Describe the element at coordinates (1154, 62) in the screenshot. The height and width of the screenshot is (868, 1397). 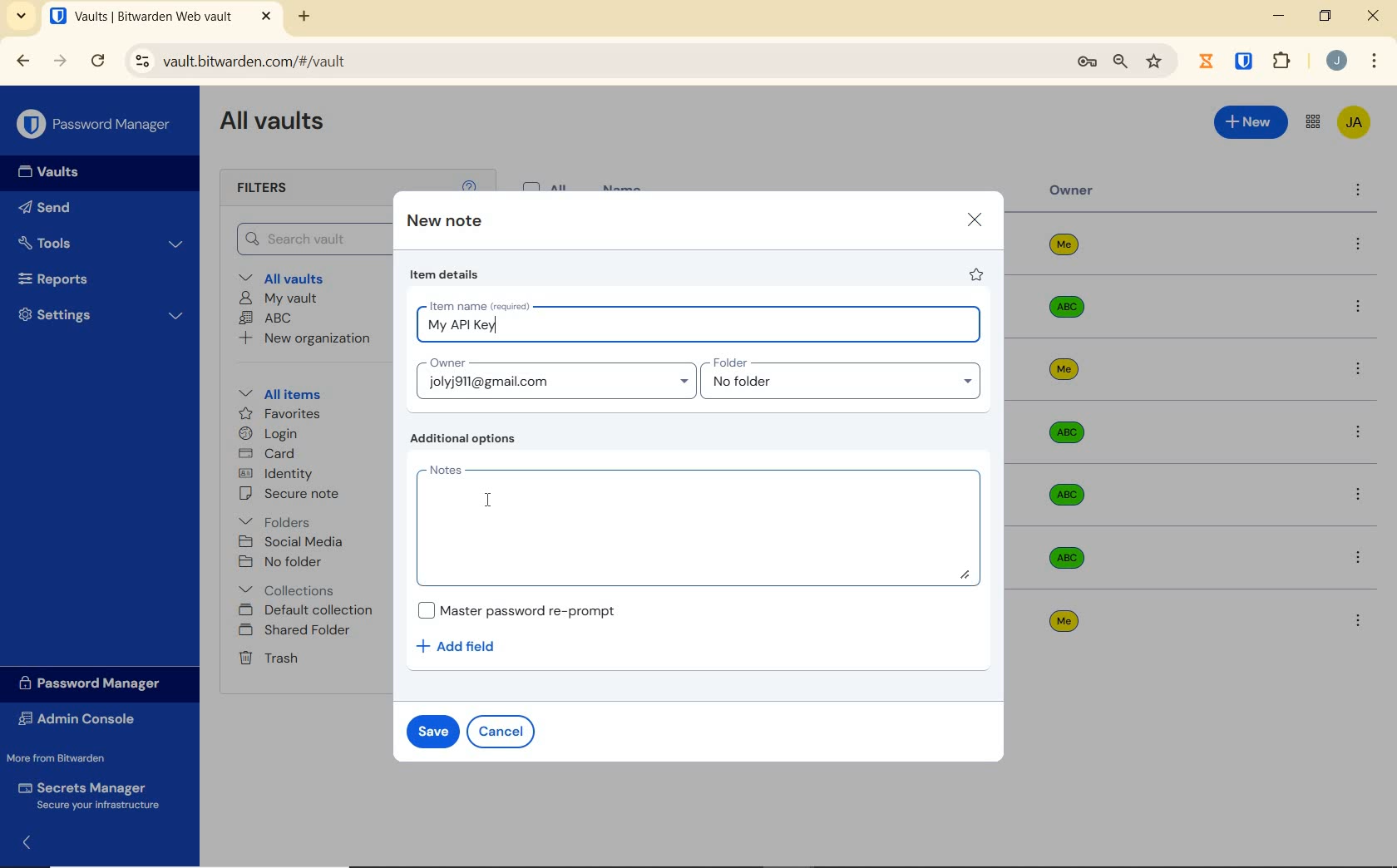
I see `bookmark` at that location.